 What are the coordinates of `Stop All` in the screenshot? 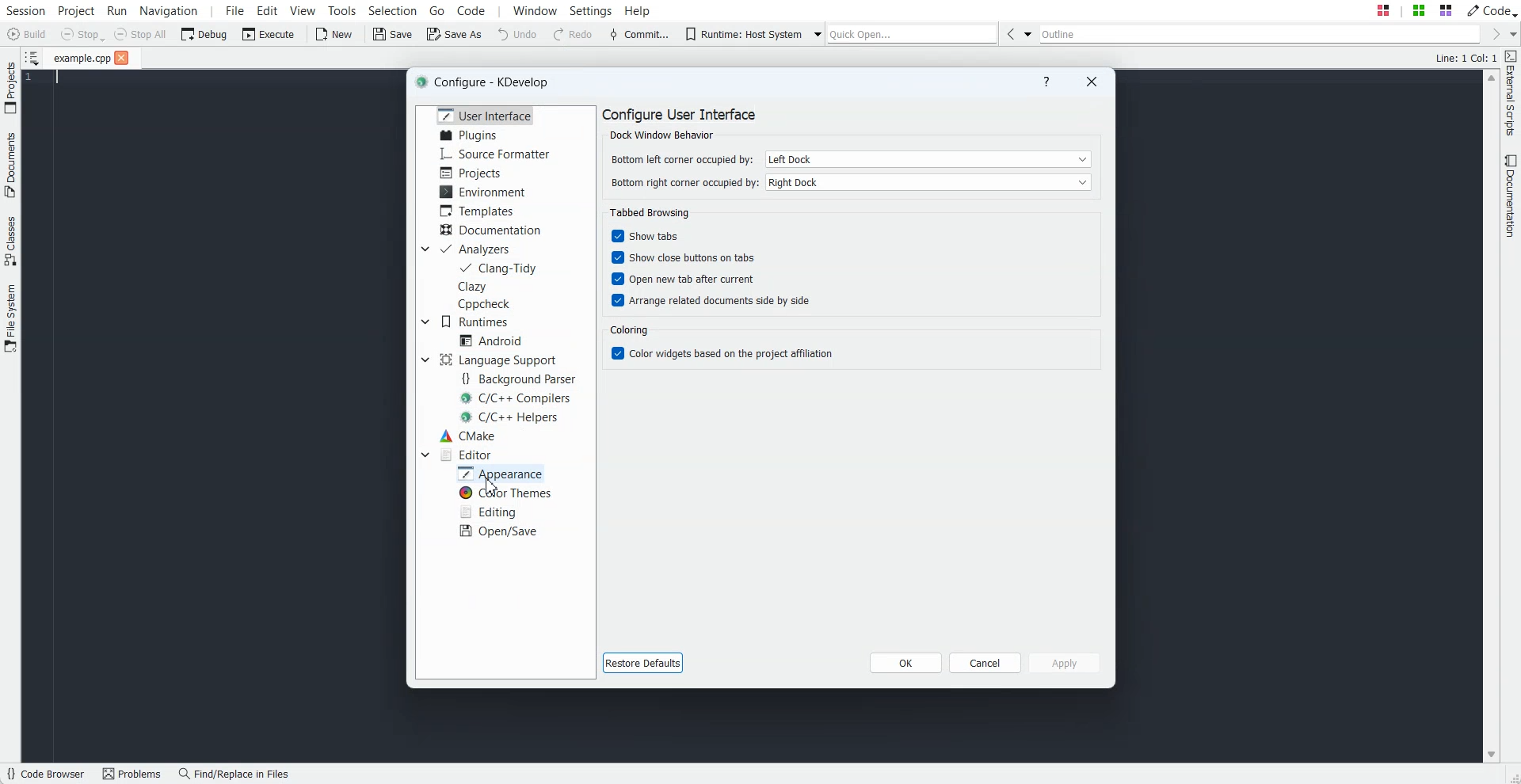 It's located at (139, 34).